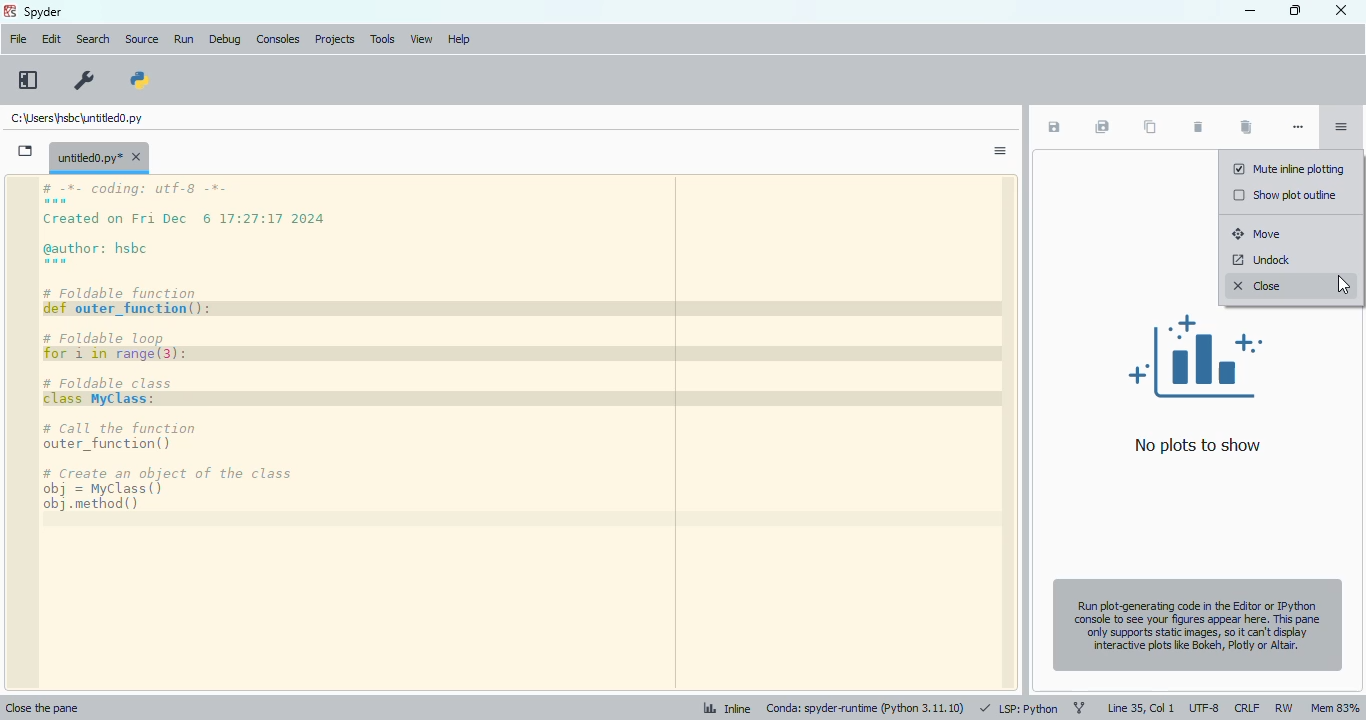 Image resolution: width=1366 pixels, height=720 pixels. What do you see at coordinates (999, 151) in the screenshot?
I see `options` at bounding box center [999, 151].